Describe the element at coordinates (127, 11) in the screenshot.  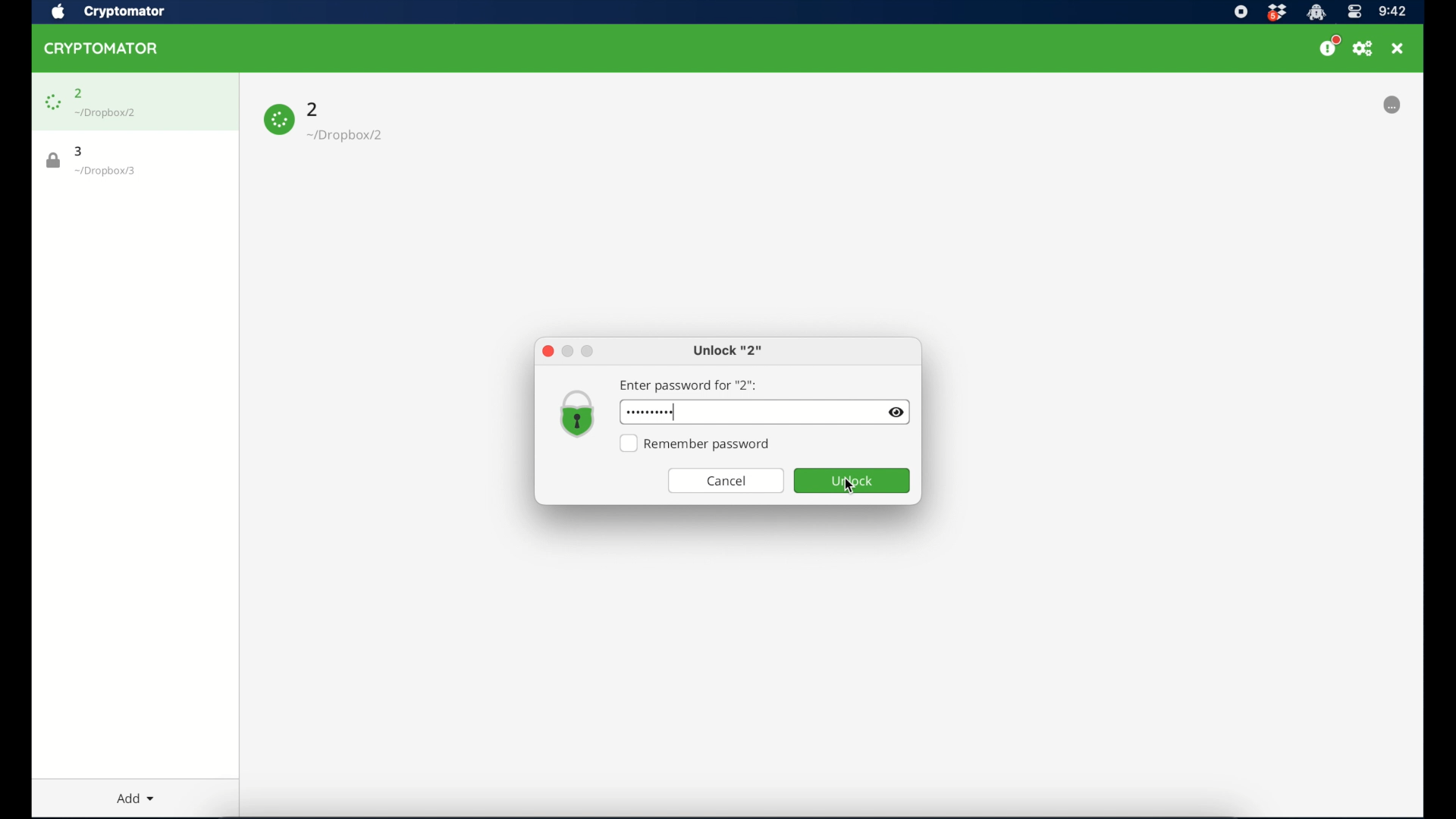
I see `cryptomator` at that location.